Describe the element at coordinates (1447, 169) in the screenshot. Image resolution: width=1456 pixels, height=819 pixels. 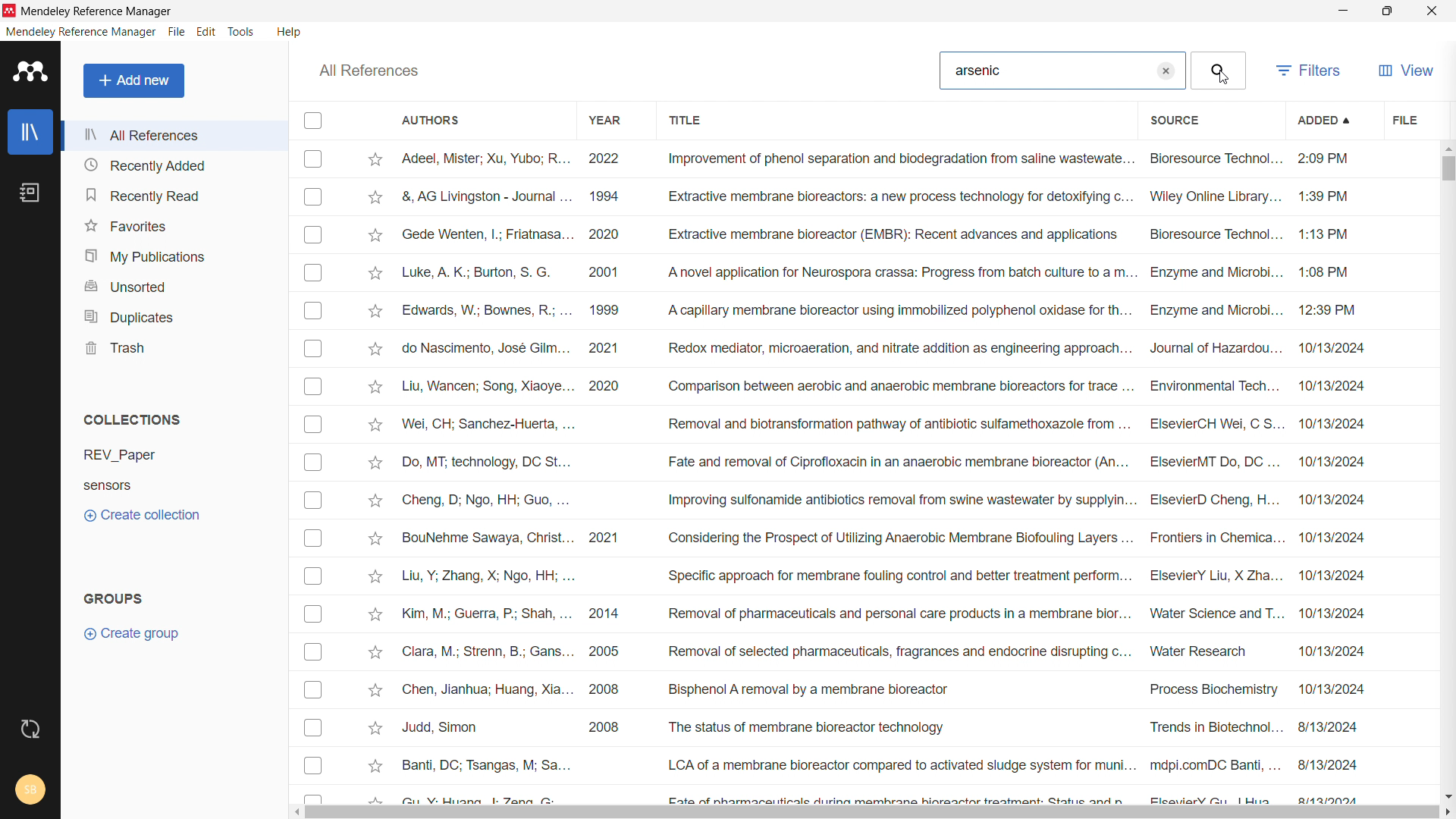
I see `vertical scrollbar` at that location.